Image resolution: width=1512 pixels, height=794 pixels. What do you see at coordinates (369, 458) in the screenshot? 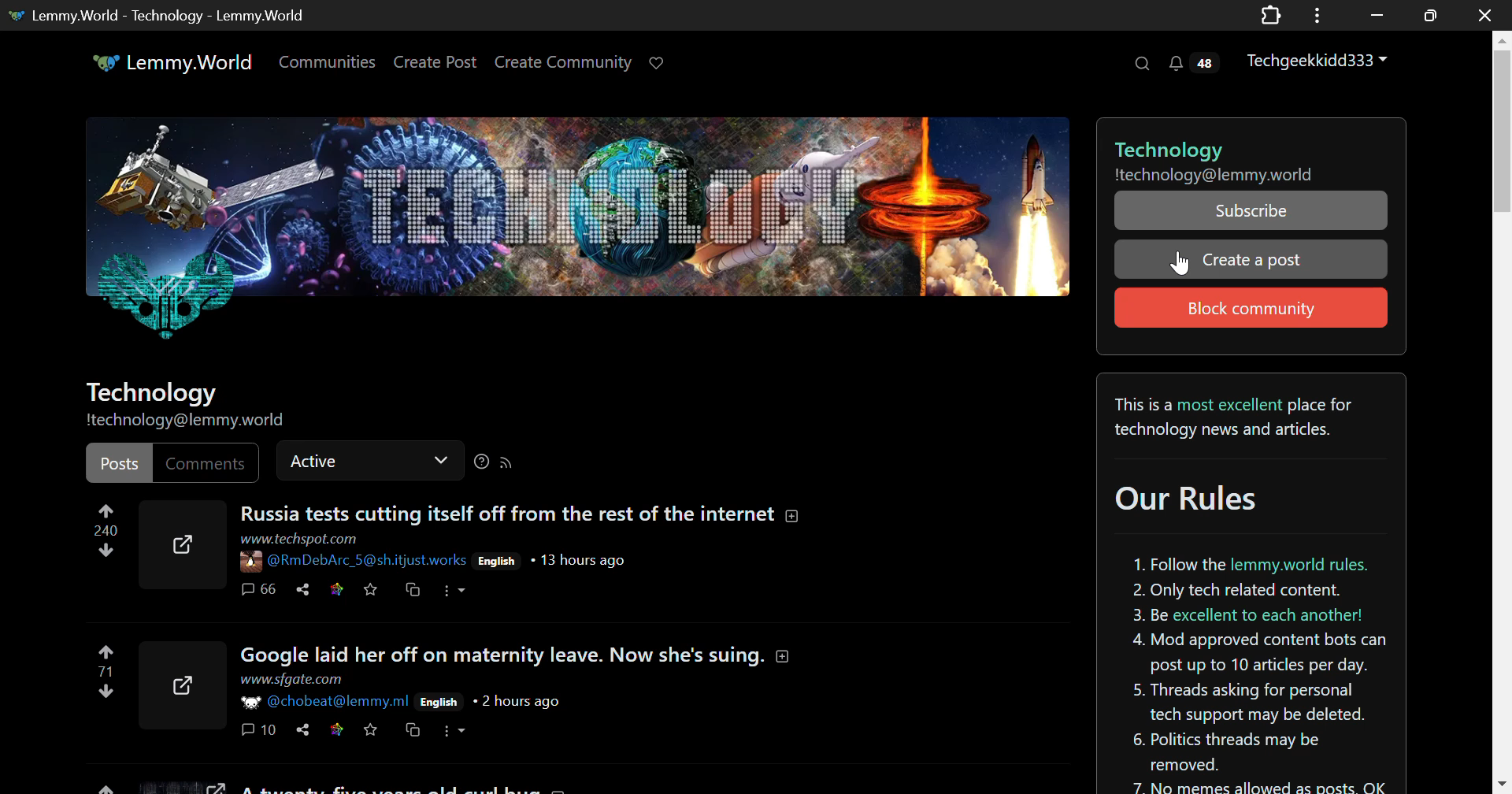
I see `Active` at bounding box center [369, 458].